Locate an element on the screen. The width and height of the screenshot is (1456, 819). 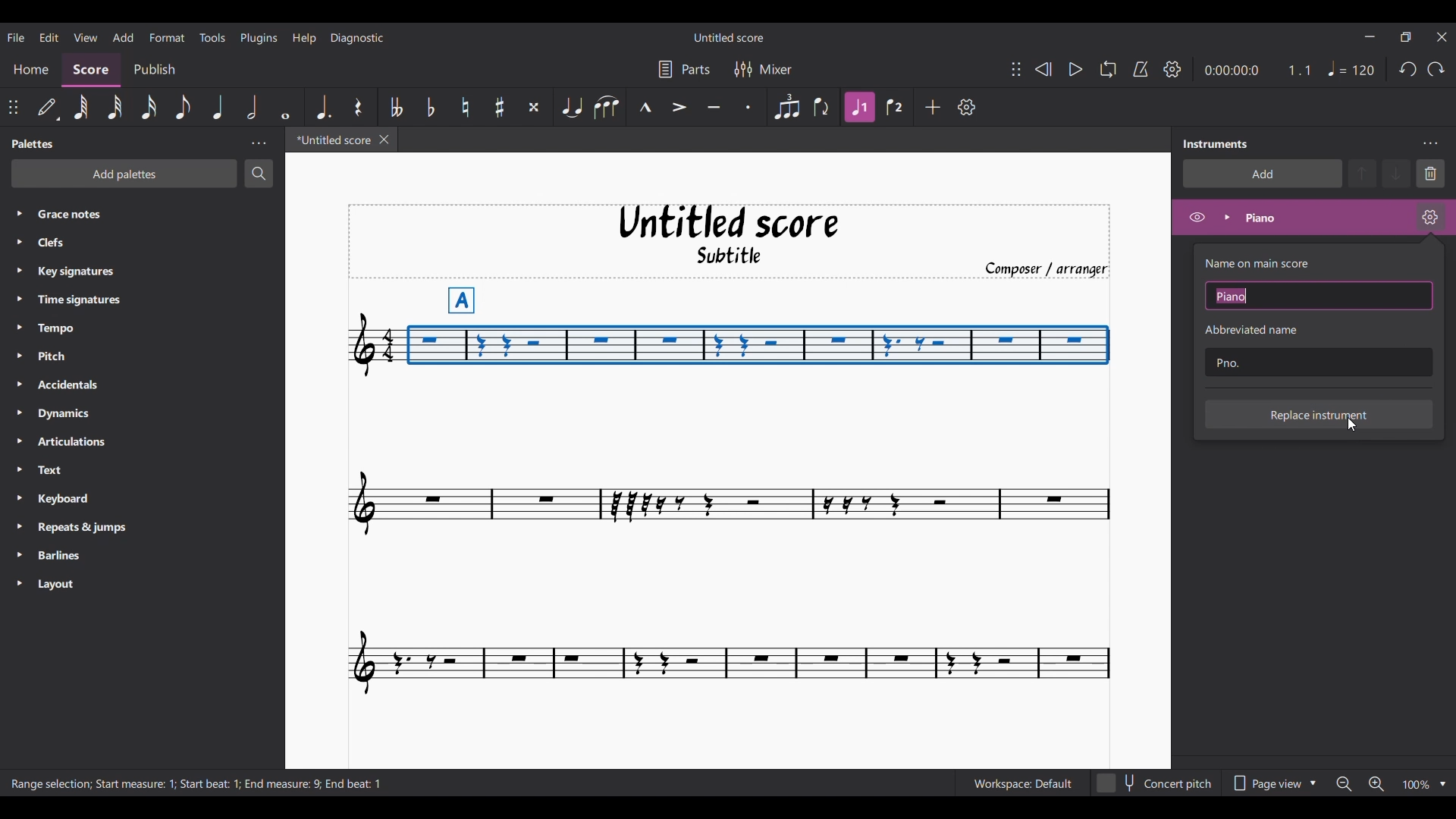
Rest is located at coordinates (358, 107).